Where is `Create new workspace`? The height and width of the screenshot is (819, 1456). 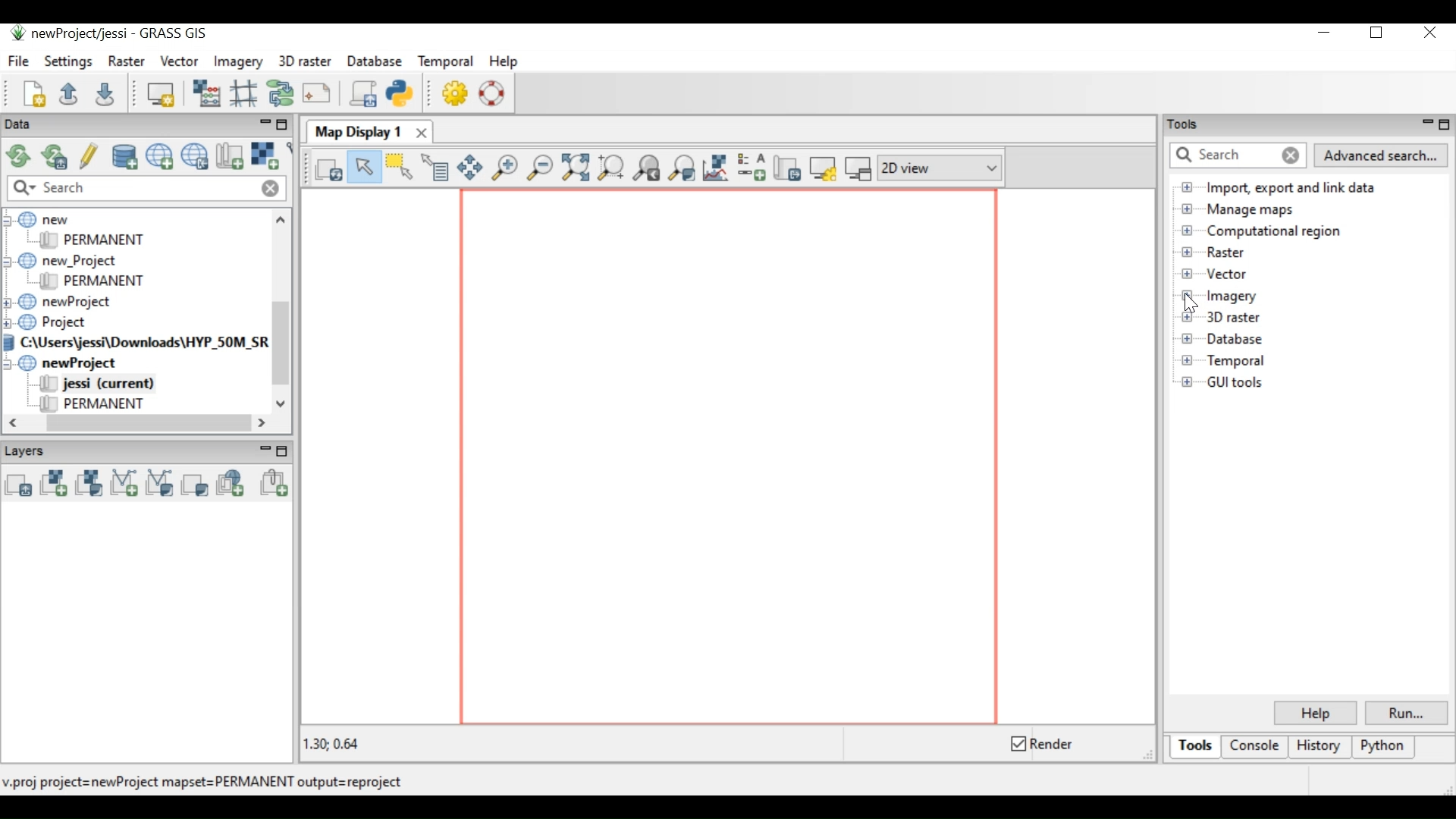 Create new workspace is located at coordinates (33, 92).